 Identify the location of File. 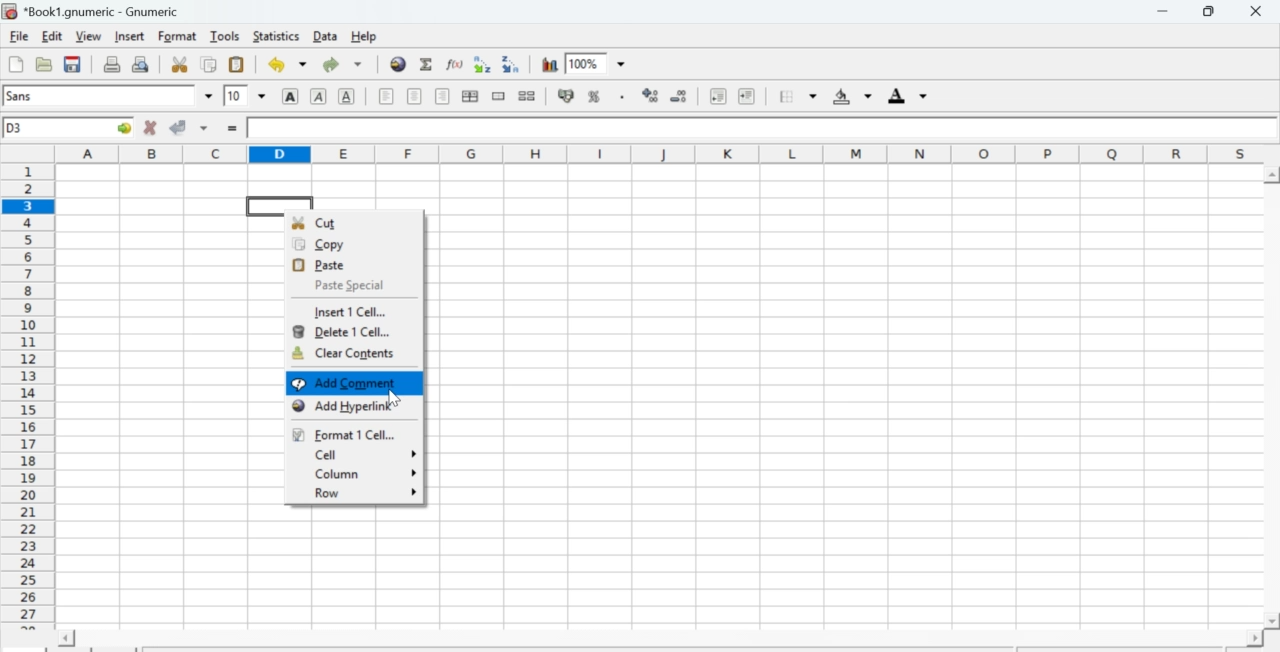
(18, 37).